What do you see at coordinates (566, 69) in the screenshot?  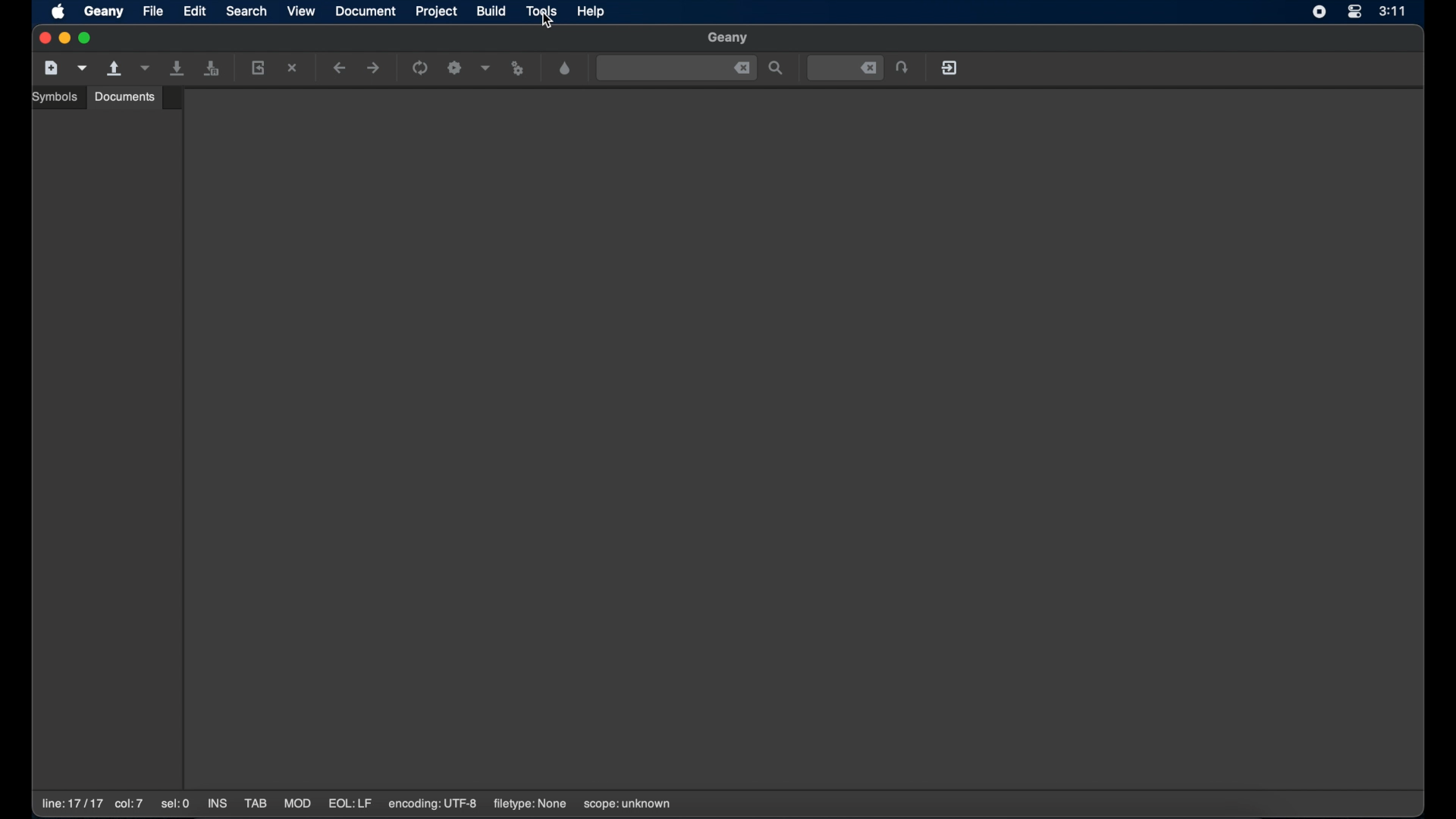 I see `open a color chooser dialogue` at bounding box center [566, 69].